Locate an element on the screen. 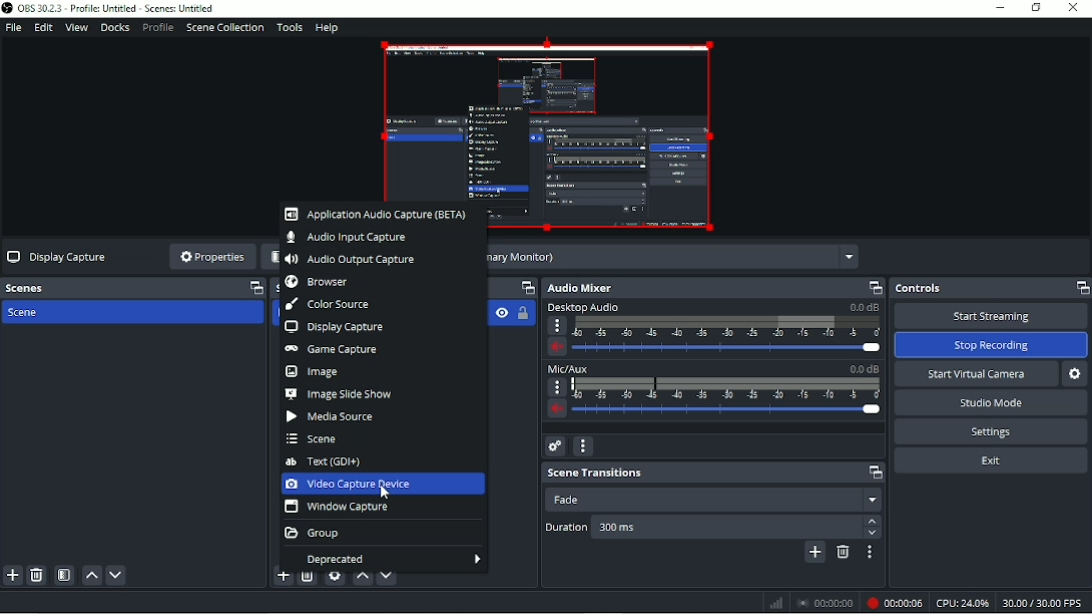 This screenshot has height=614, width=1092. Open scene filters is located at coordinates (64, 576).